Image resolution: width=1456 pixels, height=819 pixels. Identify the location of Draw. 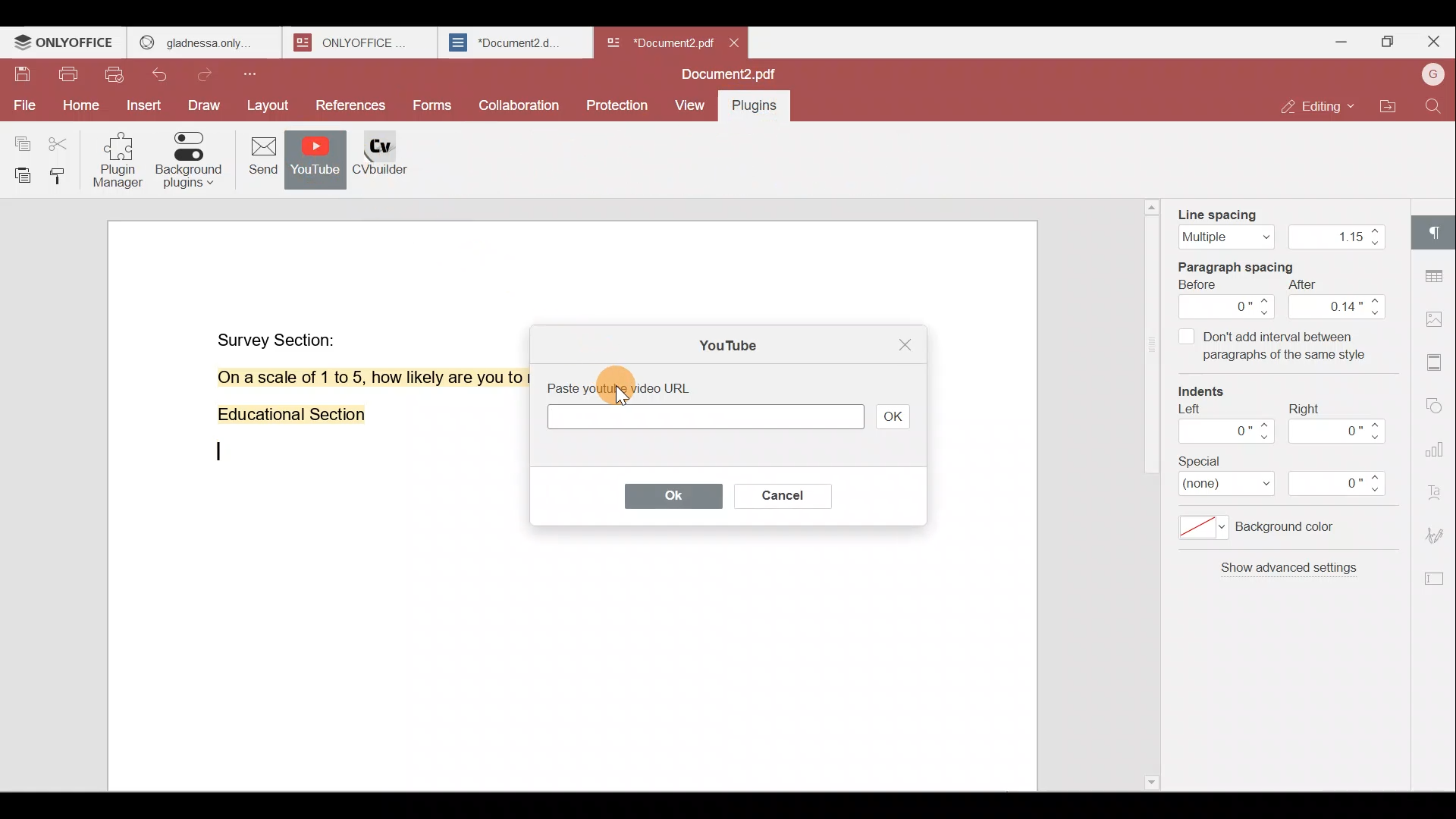
(206, 107).